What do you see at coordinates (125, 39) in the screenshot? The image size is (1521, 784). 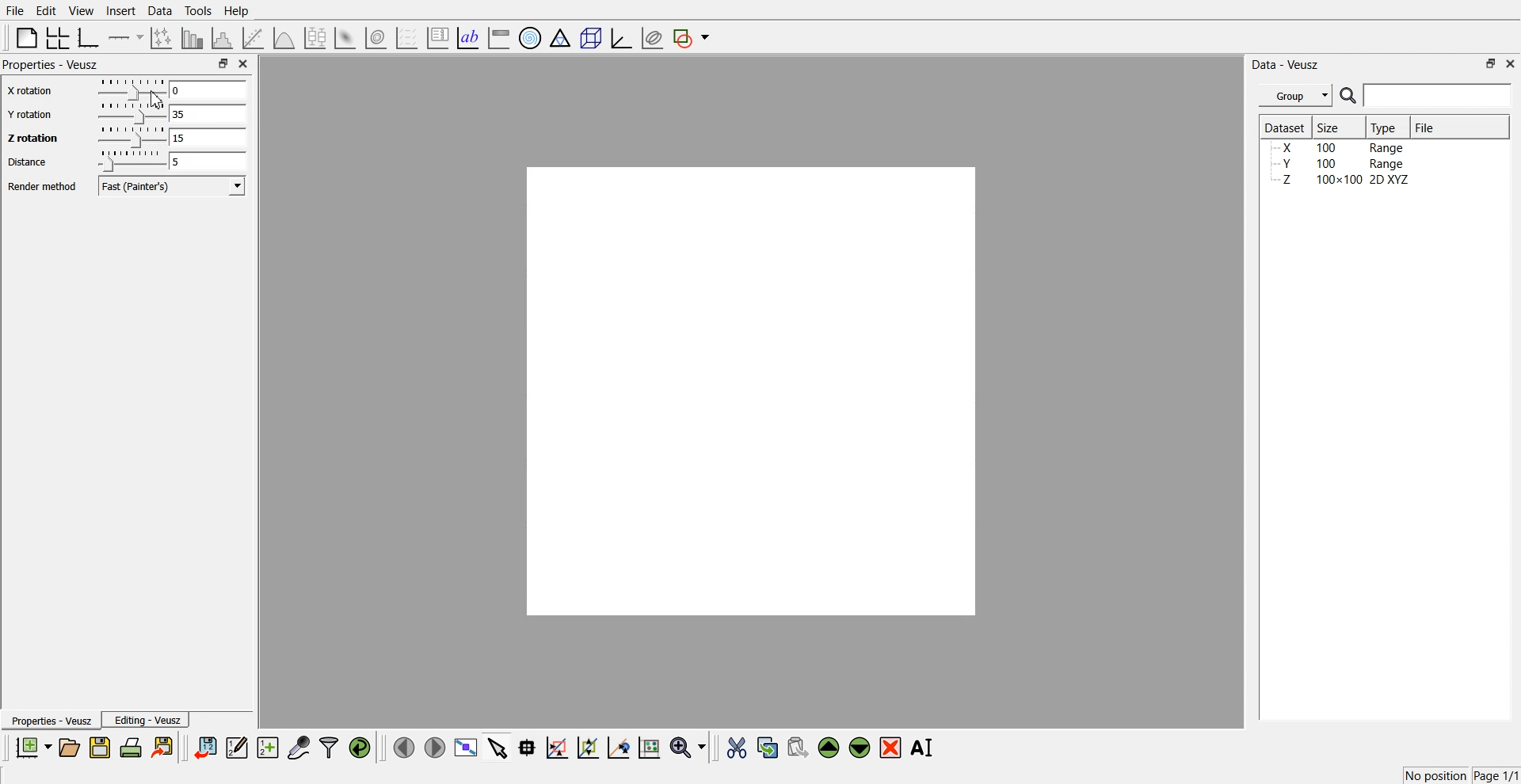 I see `Add axis to the pane` at bounding box center [125, 39].